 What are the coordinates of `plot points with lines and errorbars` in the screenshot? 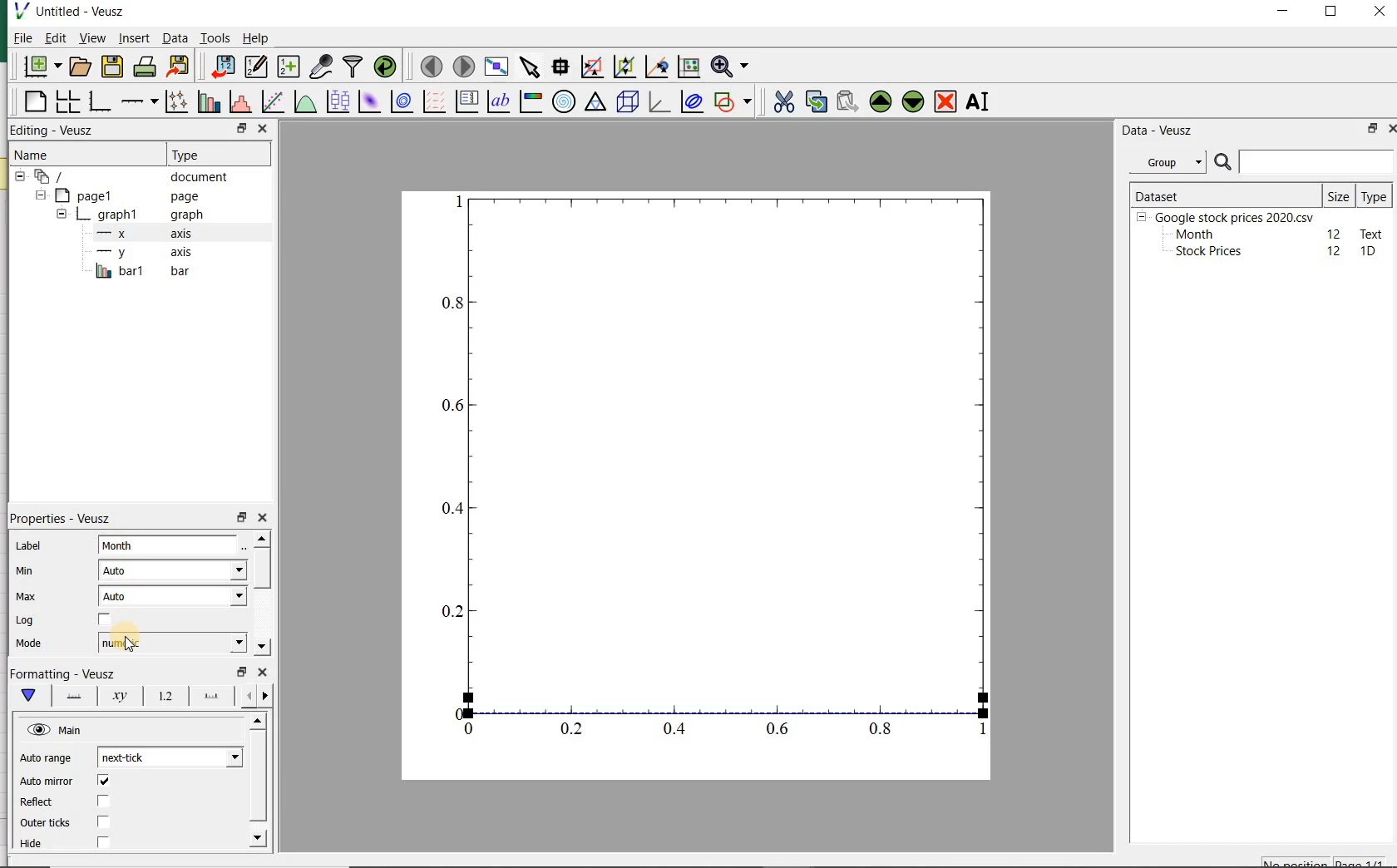 It's located at (173, 103).